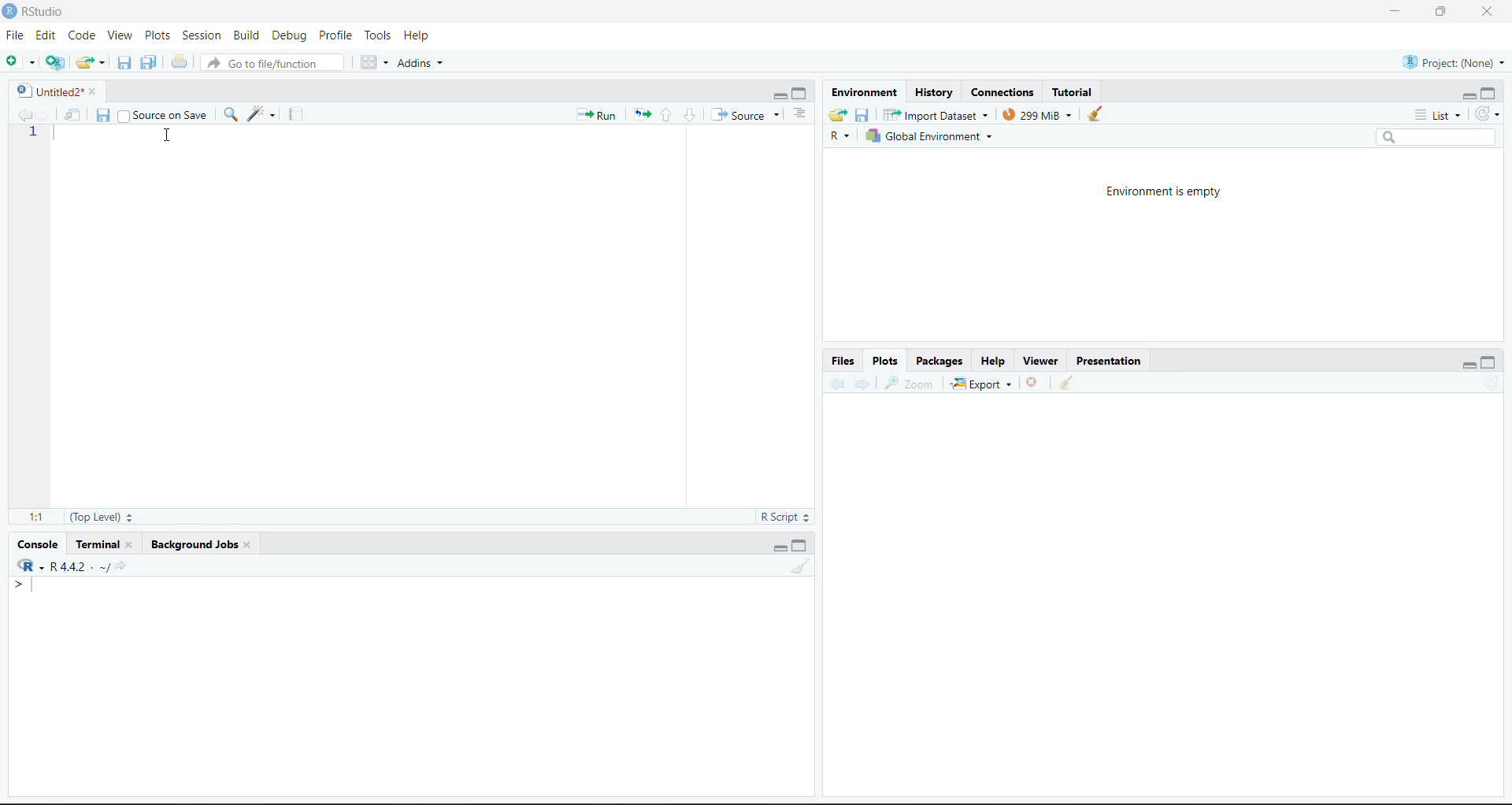  Describe the element at coordinates (862, 115) in the screenshot. I see `save workspace as` at that location.